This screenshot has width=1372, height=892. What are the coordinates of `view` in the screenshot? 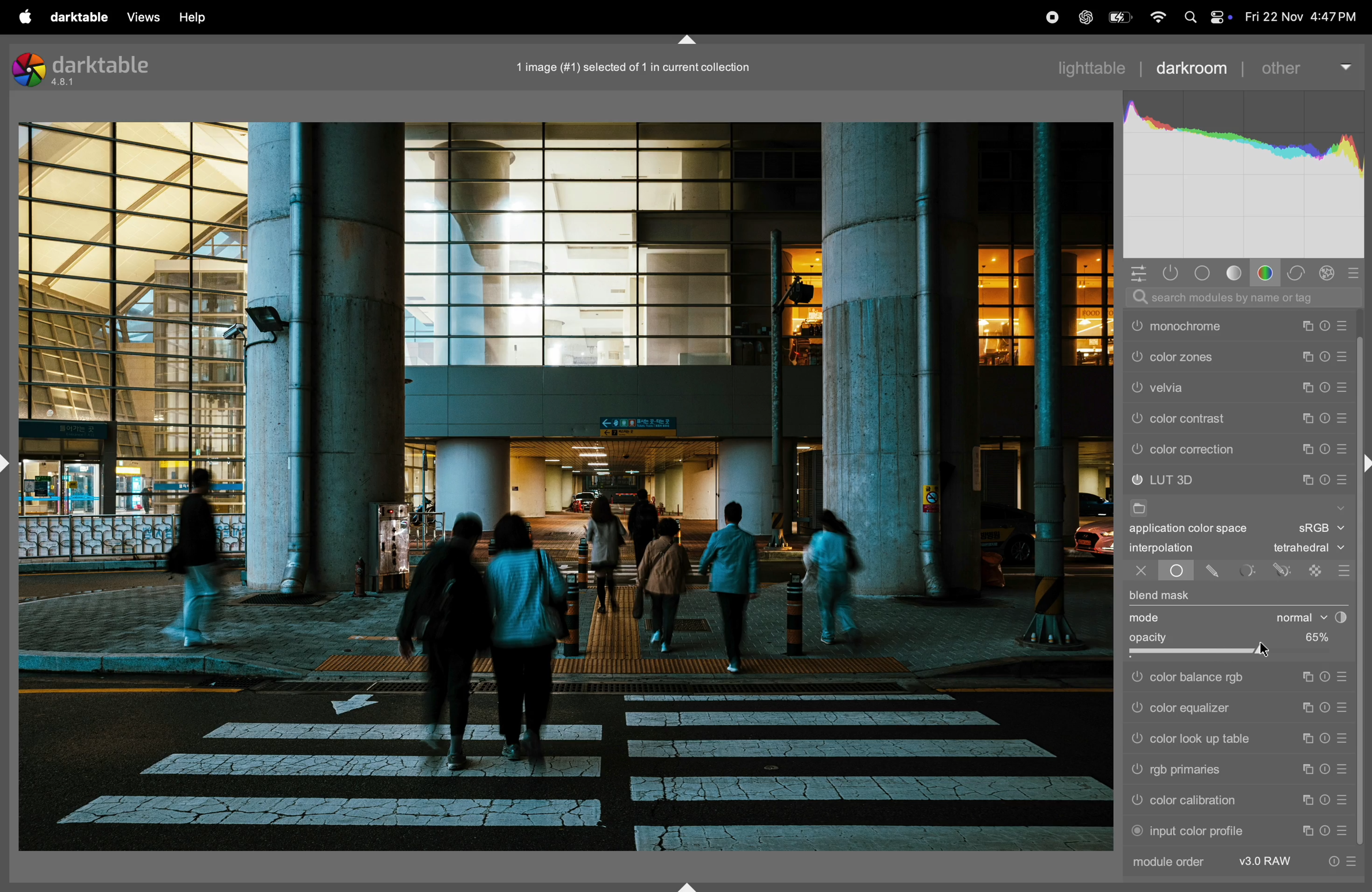 It's located at (200, 18).